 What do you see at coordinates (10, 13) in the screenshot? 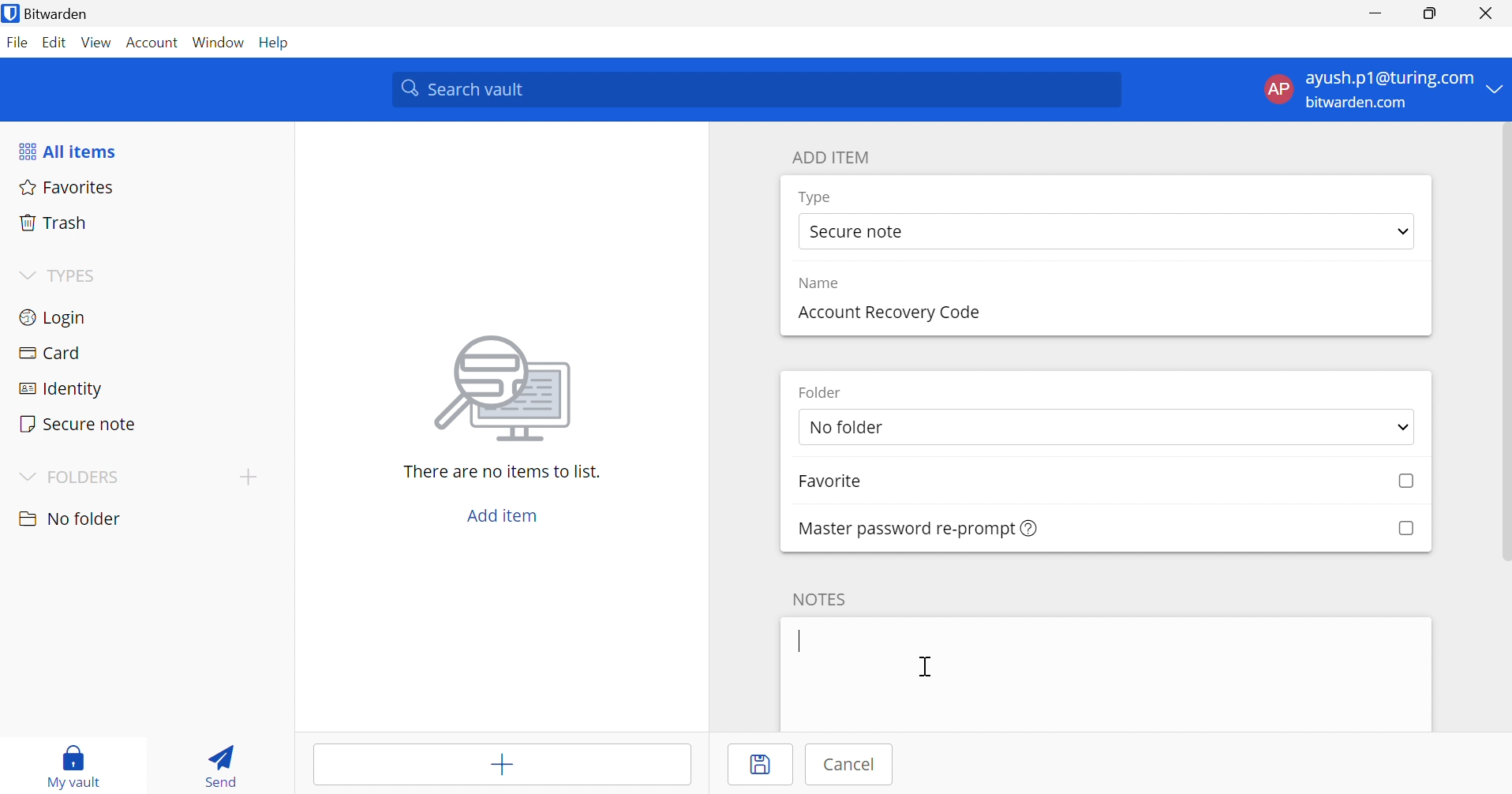
I see `bitwarden logo` at bounding box center [10, 13].